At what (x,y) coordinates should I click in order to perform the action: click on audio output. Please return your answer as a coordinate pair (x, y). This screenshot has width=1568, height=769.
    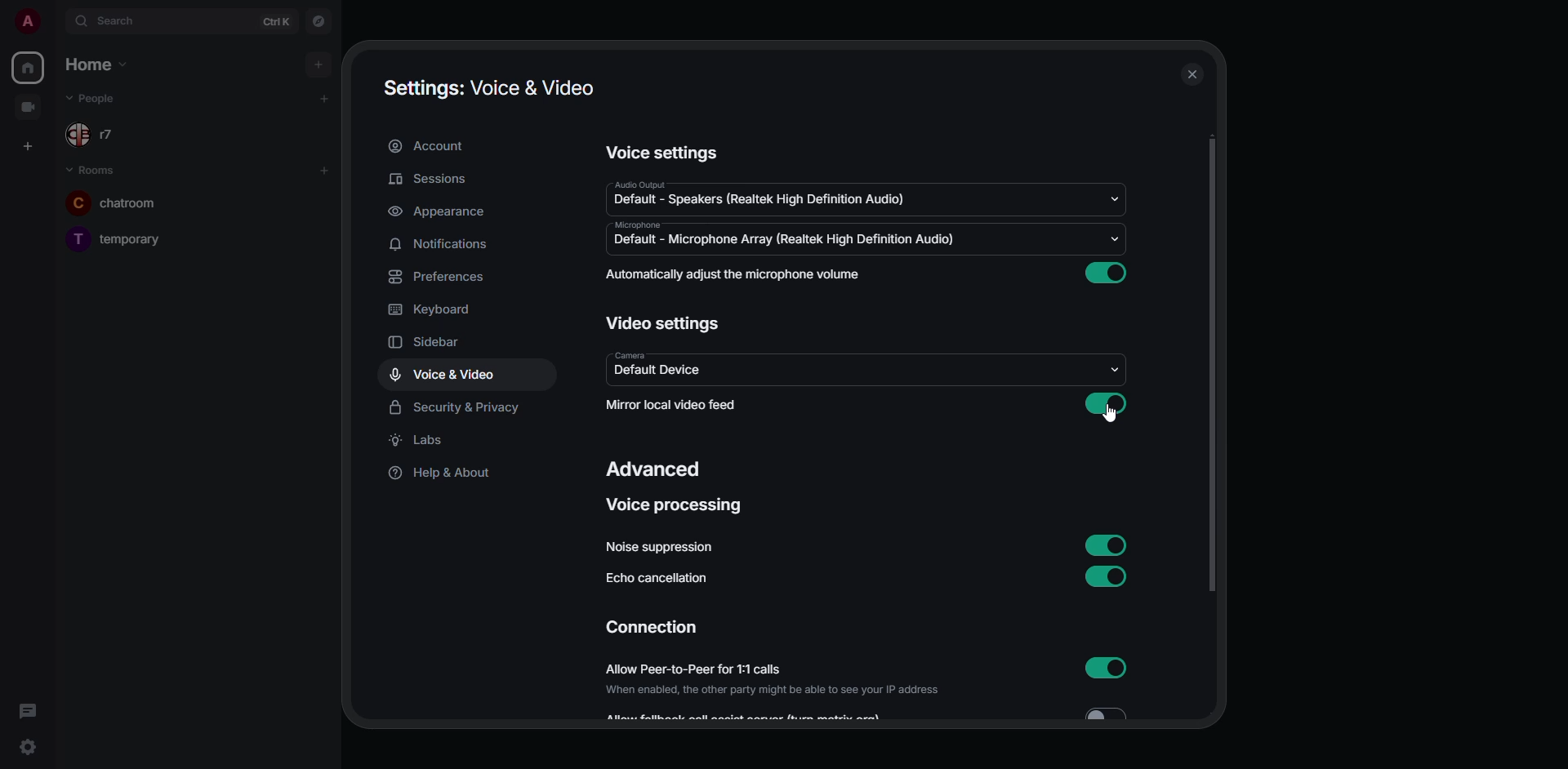
    Looking at the image, I should click on (637, 184).